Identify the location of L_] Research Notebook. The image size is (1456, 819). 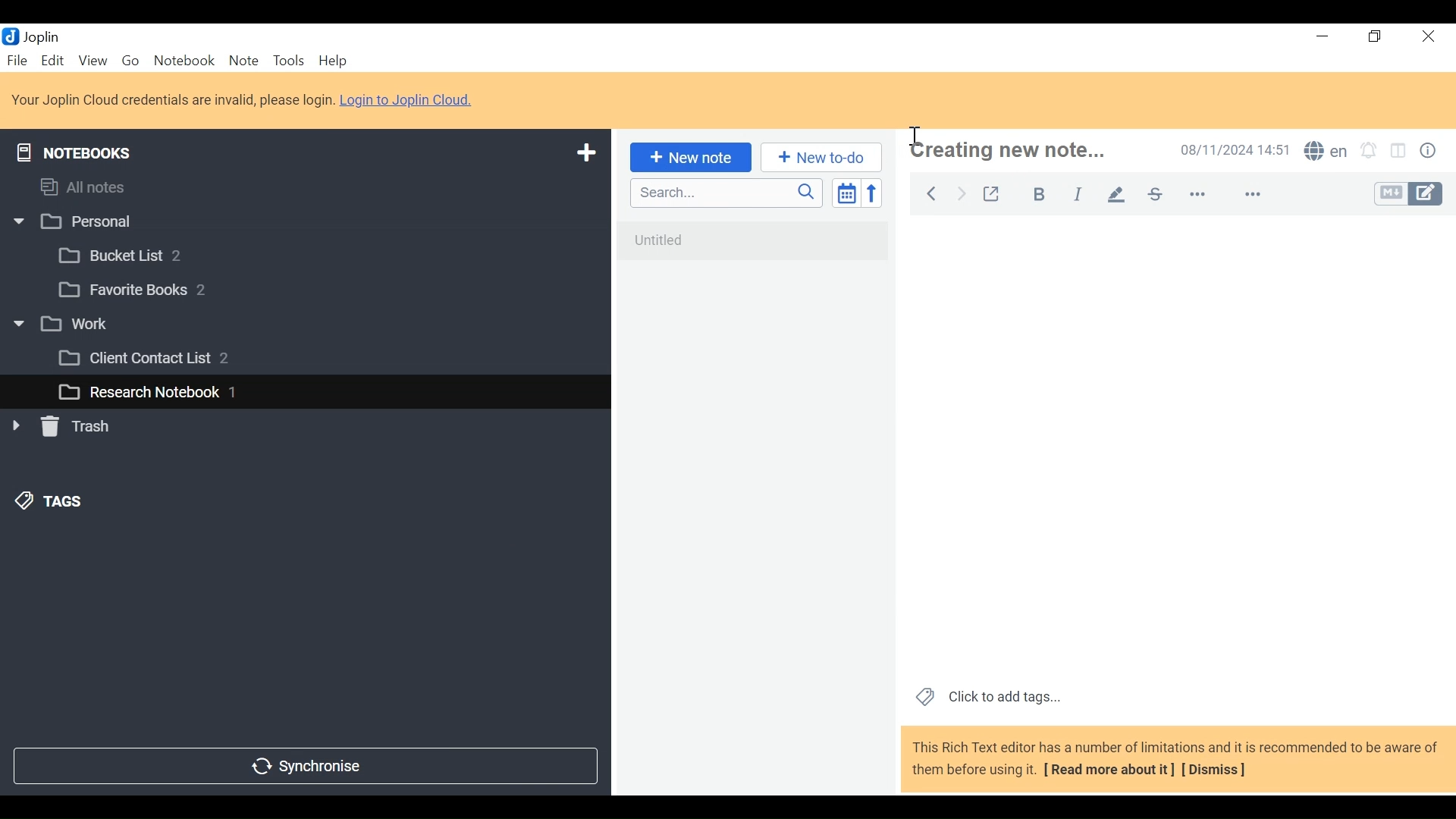
(138, 393).